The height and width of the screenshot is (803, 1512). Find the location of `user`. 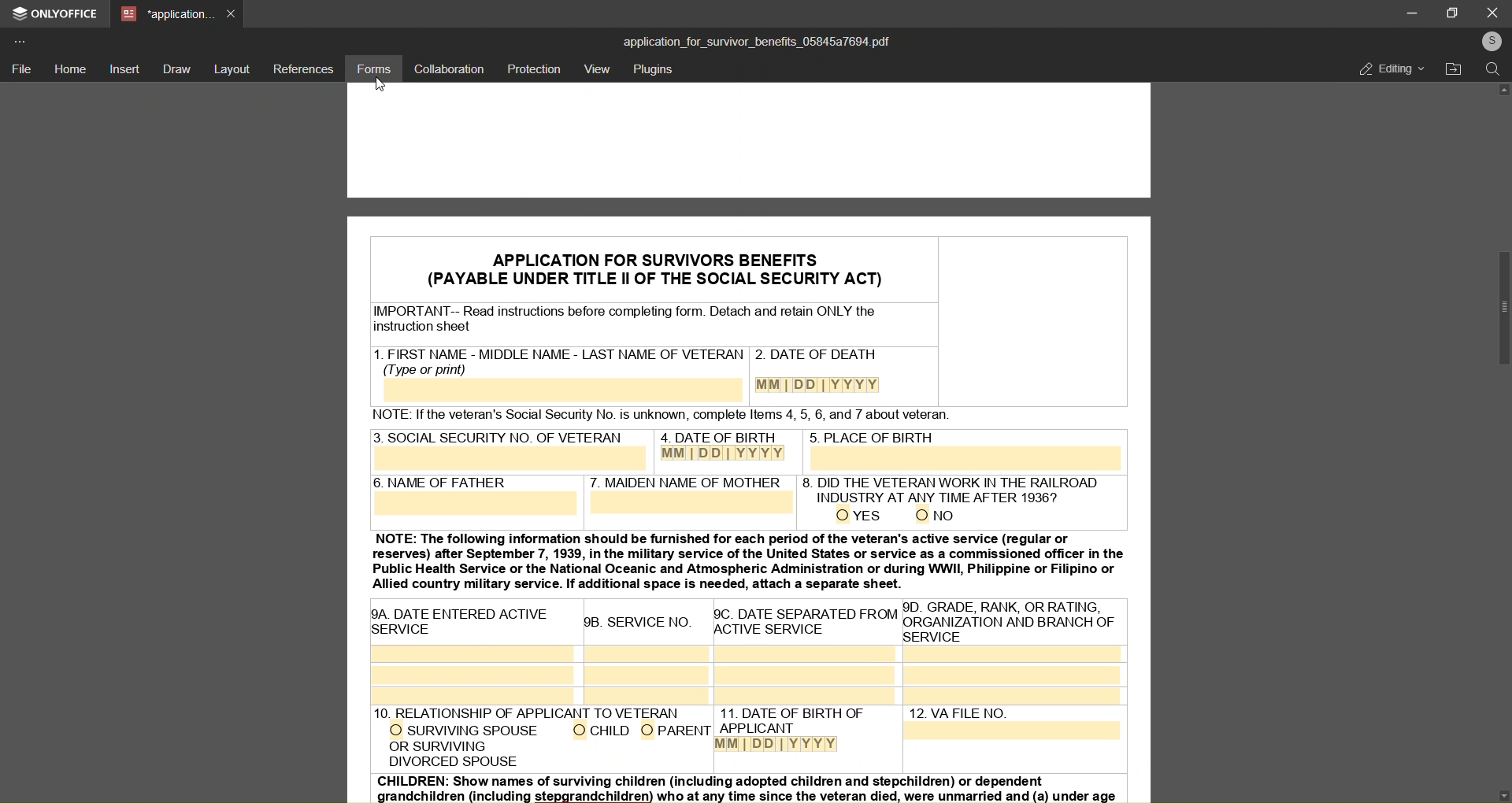

user is located at coordinates (1490, 41).